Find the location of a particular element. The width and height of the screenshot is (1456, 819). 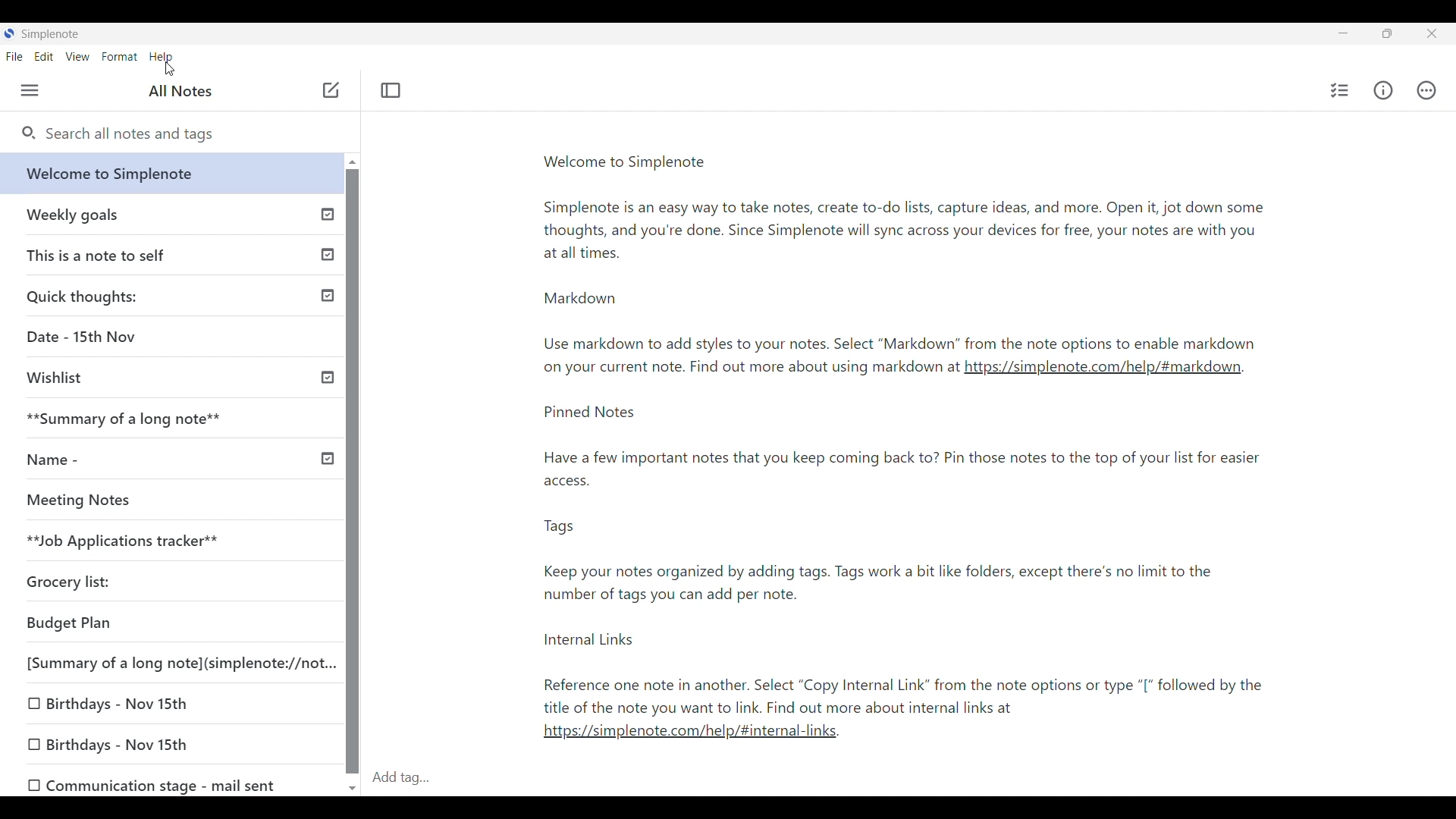

 is located at coordinates (328, 377).